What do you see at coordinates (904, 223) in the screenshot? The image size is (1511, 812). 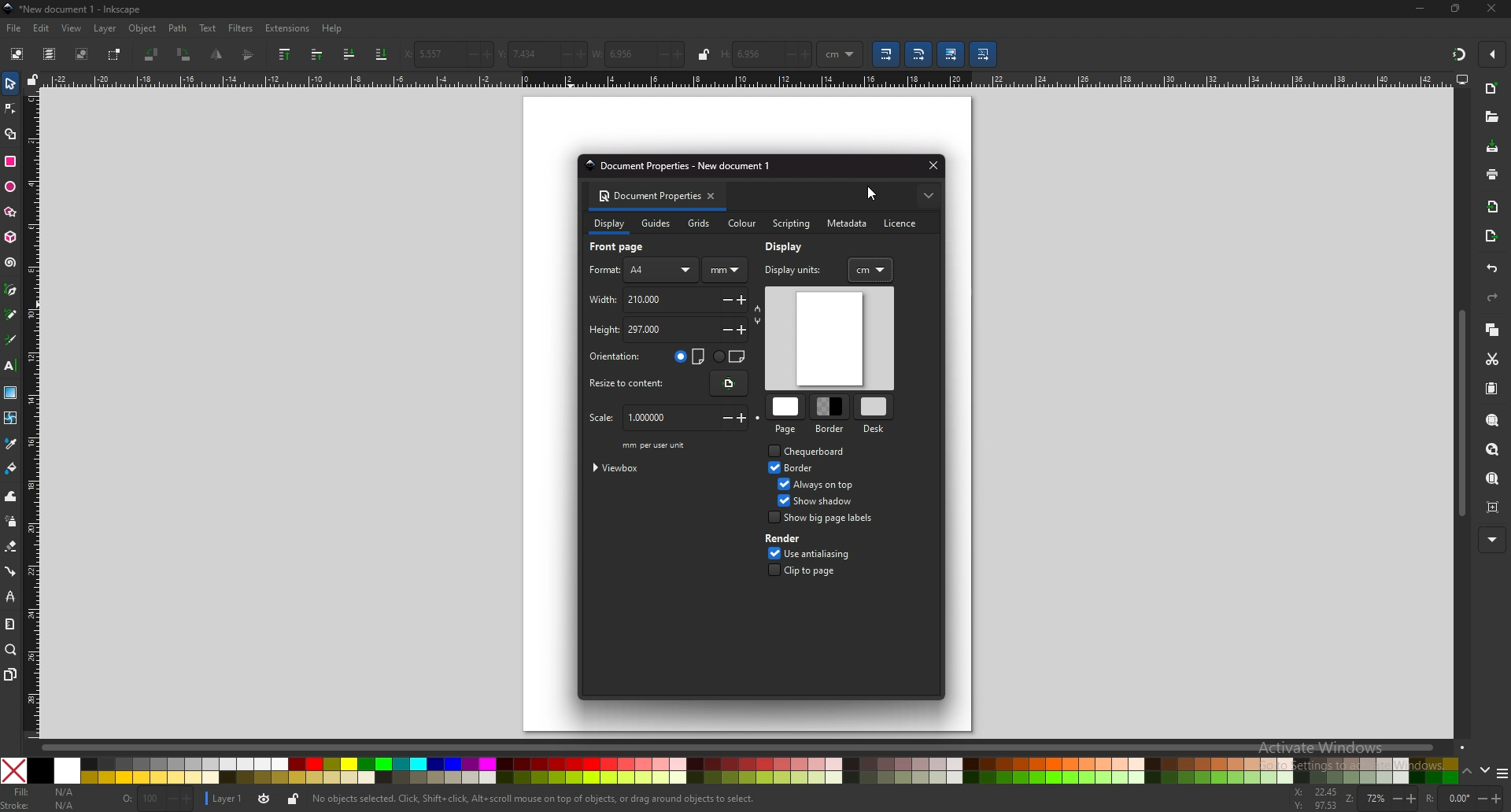 I see `license` at bounding box center [904, 223].